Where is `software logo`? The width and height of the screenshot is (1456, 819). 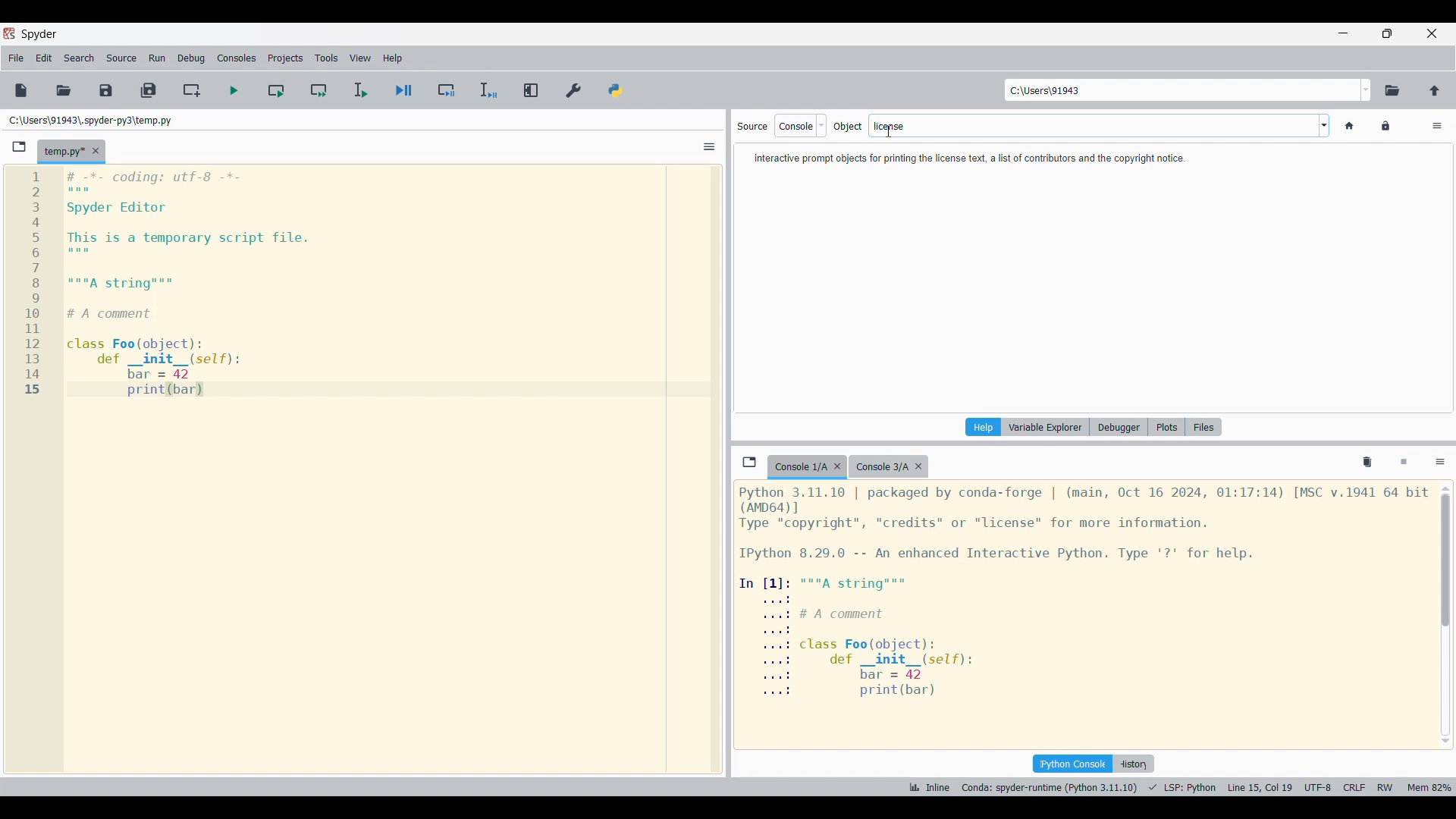 software logo is located at coordinates (10, 33).